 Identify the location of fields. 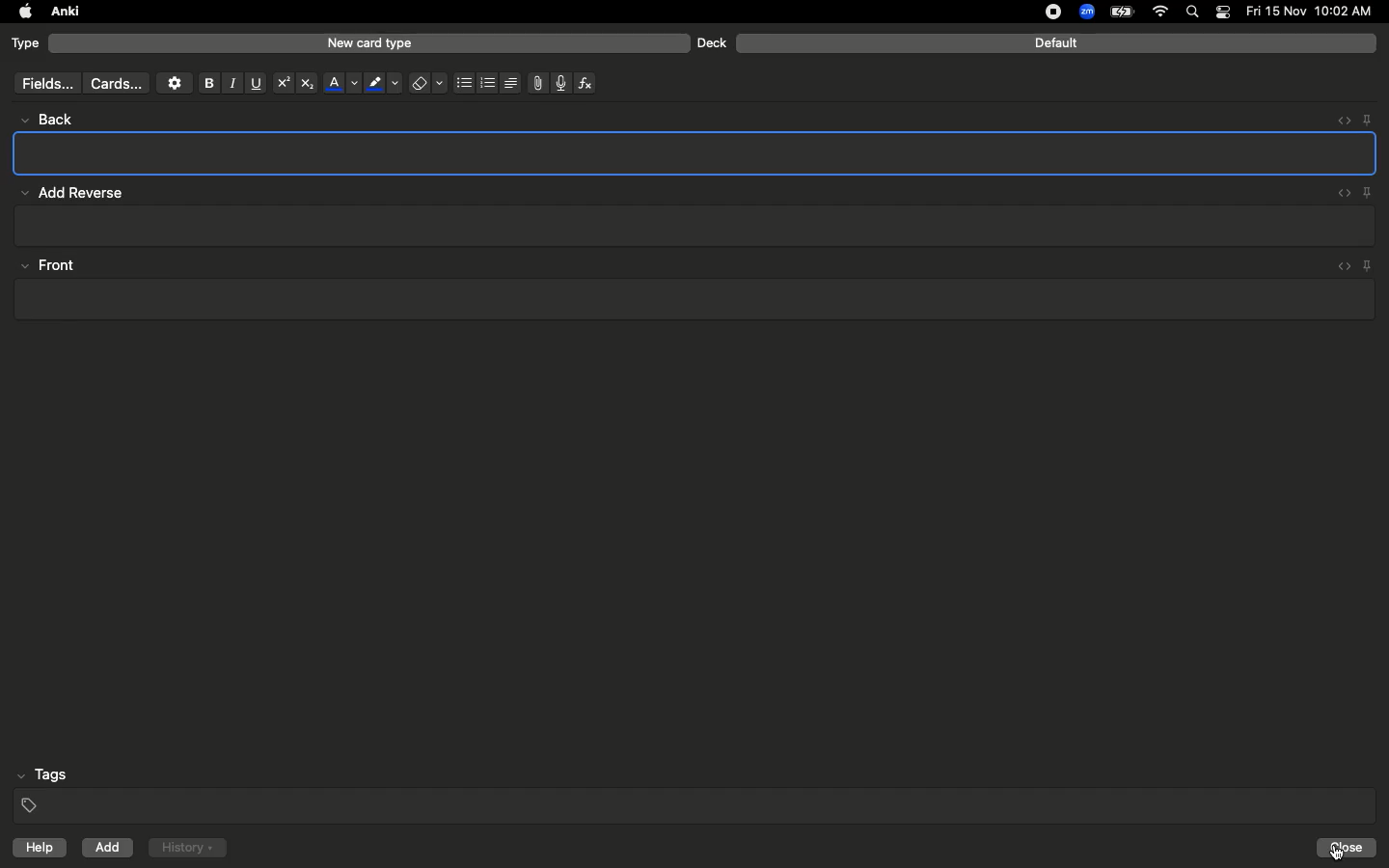
(42, 84).